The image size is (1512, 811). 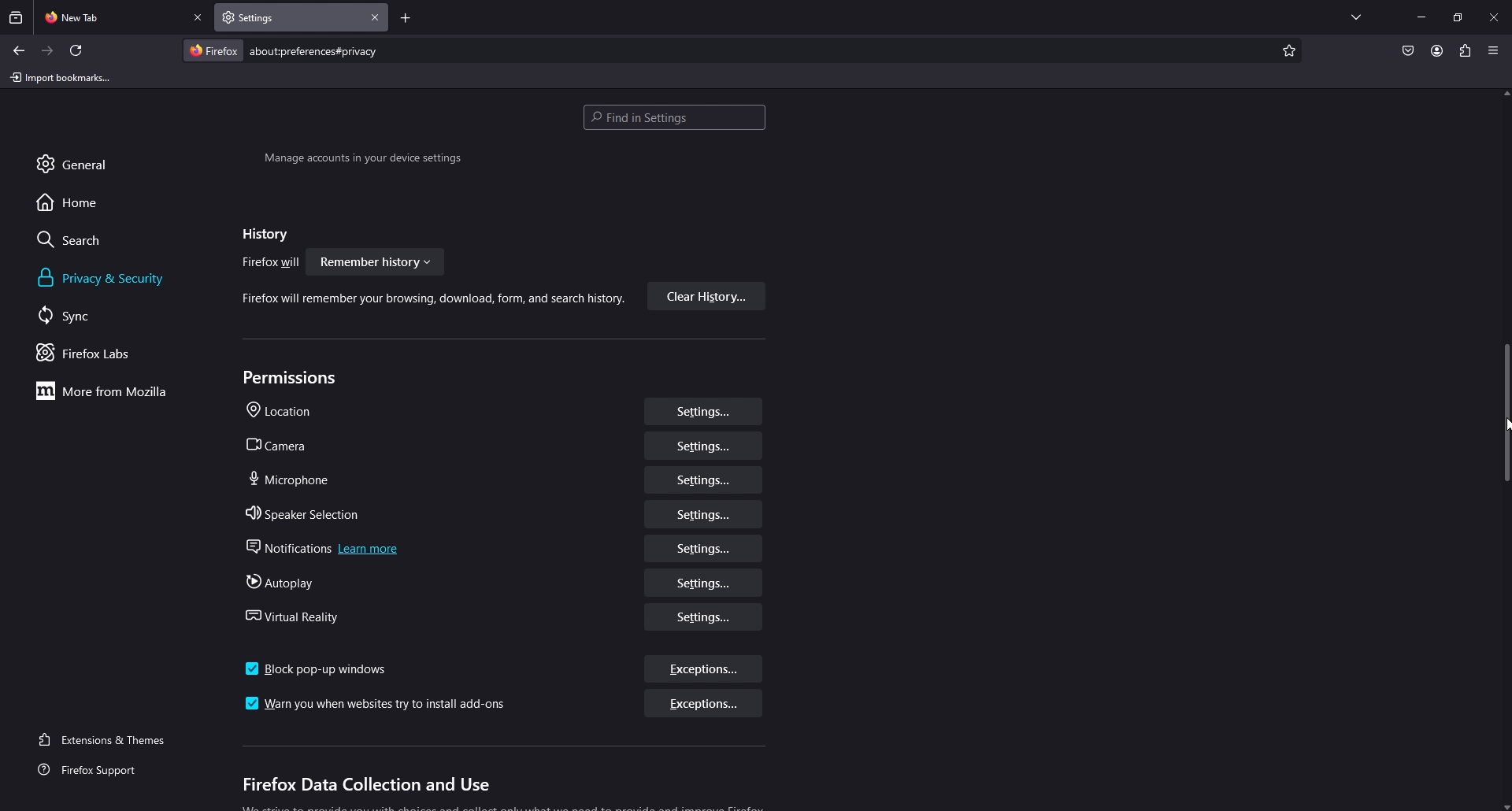 What do you see at coordinates (706, 671) in the screenshot?
I see `exceptions` at bounding box center [706, 671].